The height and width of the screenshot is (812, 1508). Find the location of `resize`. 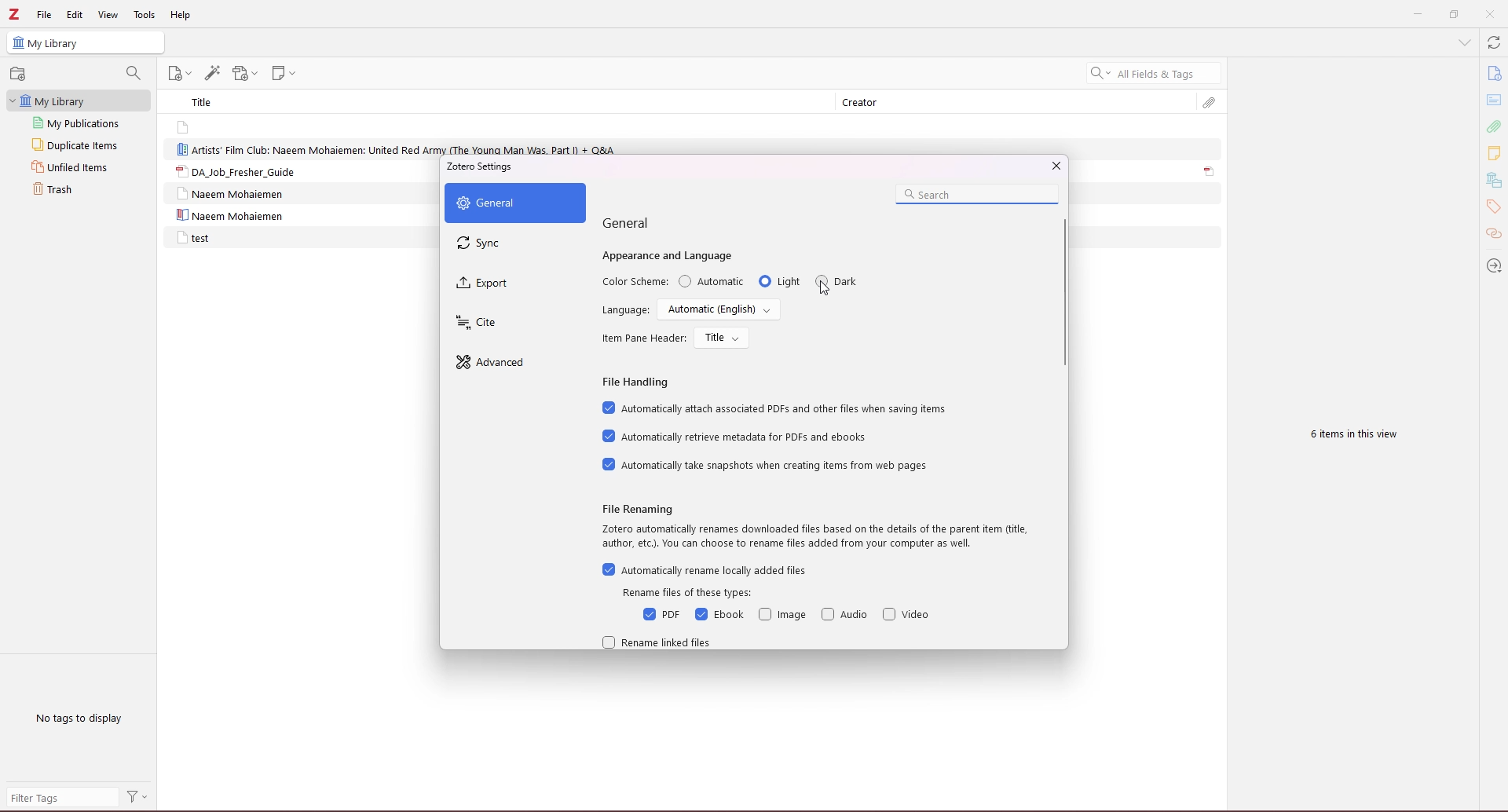

resize is located at coordinates (1453, 15).